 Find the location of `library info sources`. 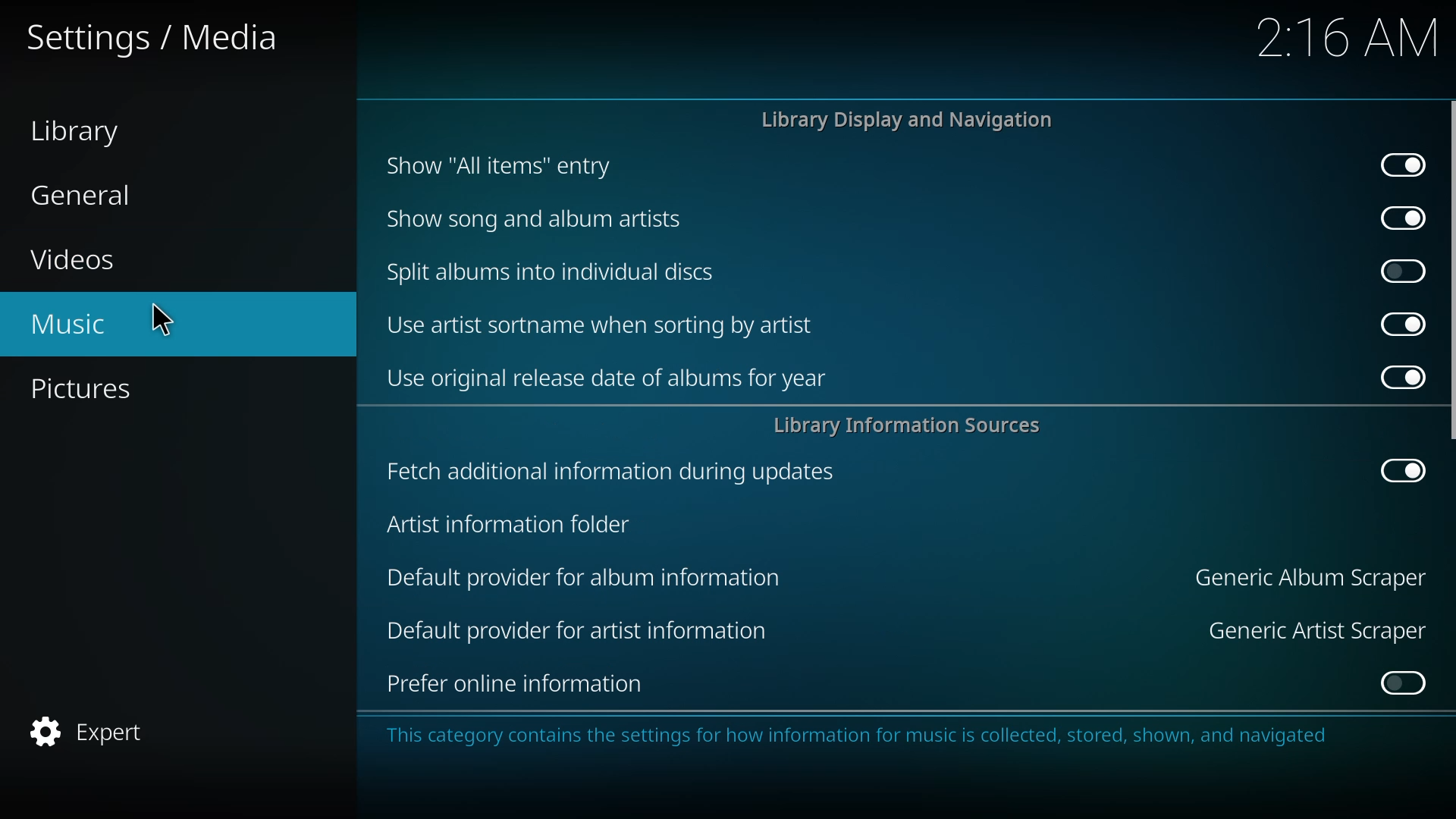

library info sources is located at coordinates (915, 425).